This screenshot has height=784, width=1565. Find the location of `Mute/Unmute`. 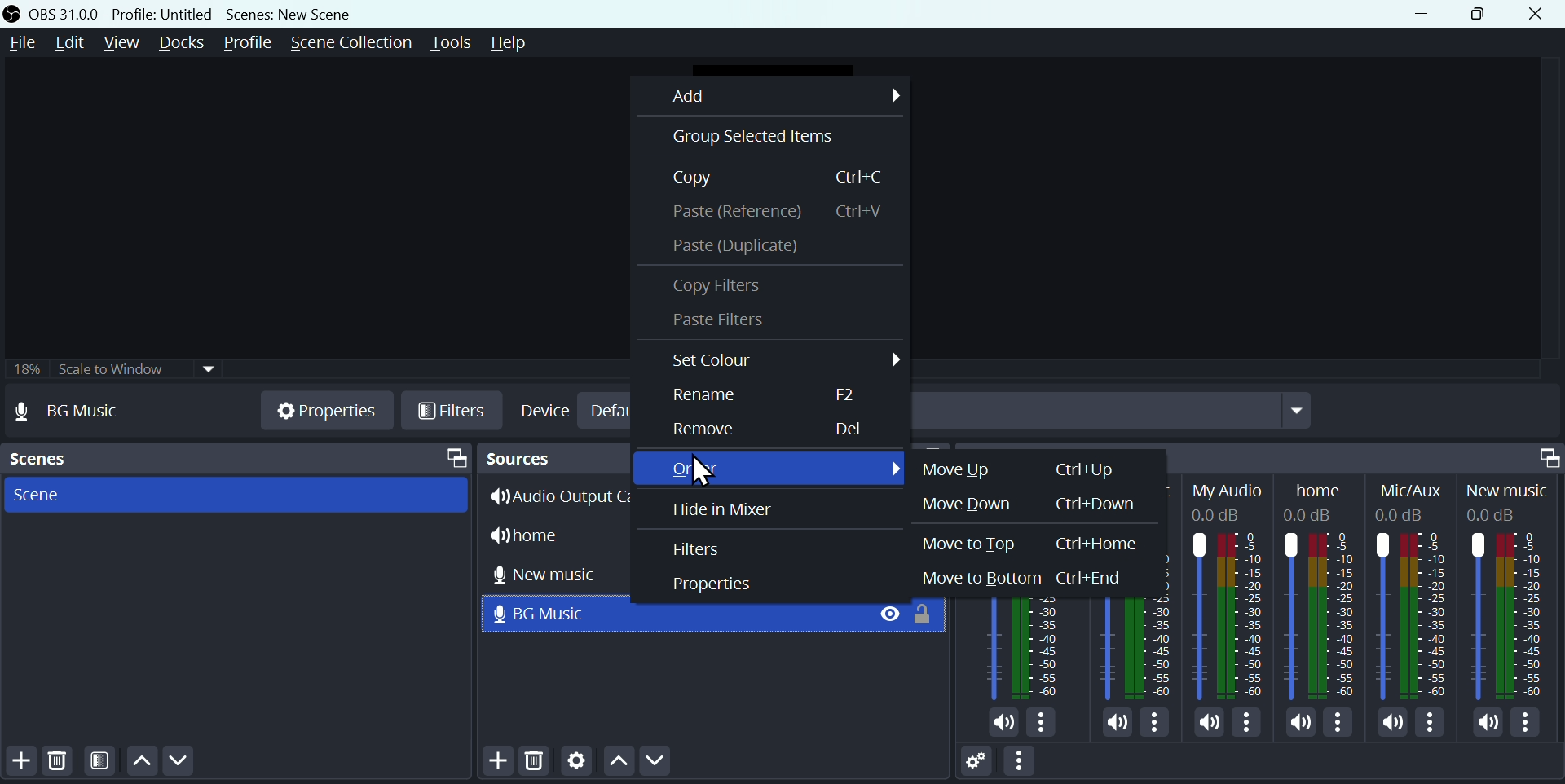

Mute/Unmute is located at coordinates (1003, 723).